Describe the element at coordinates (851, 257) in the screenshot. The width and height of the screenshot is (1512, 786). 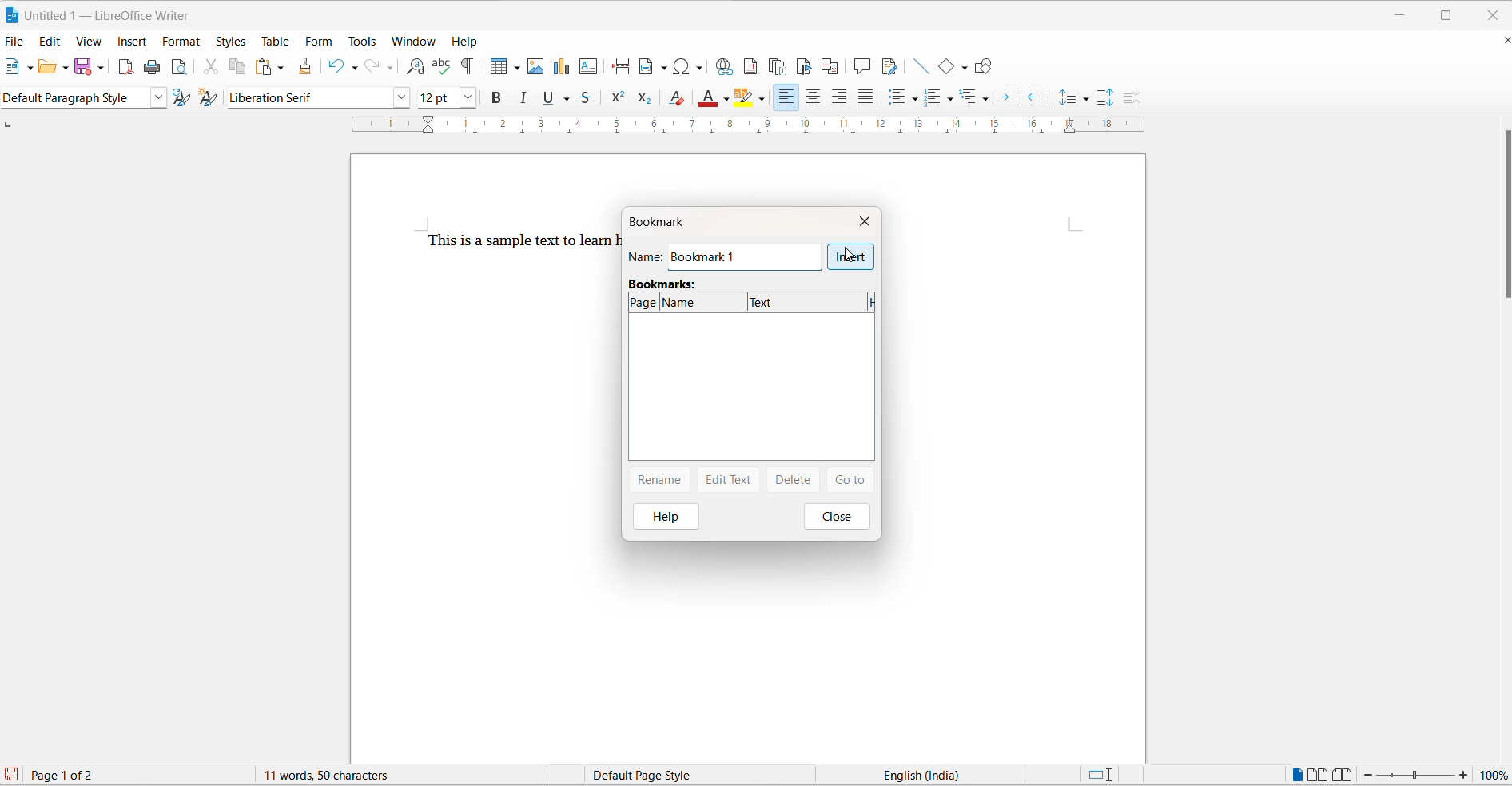
I see `insert` at that location.